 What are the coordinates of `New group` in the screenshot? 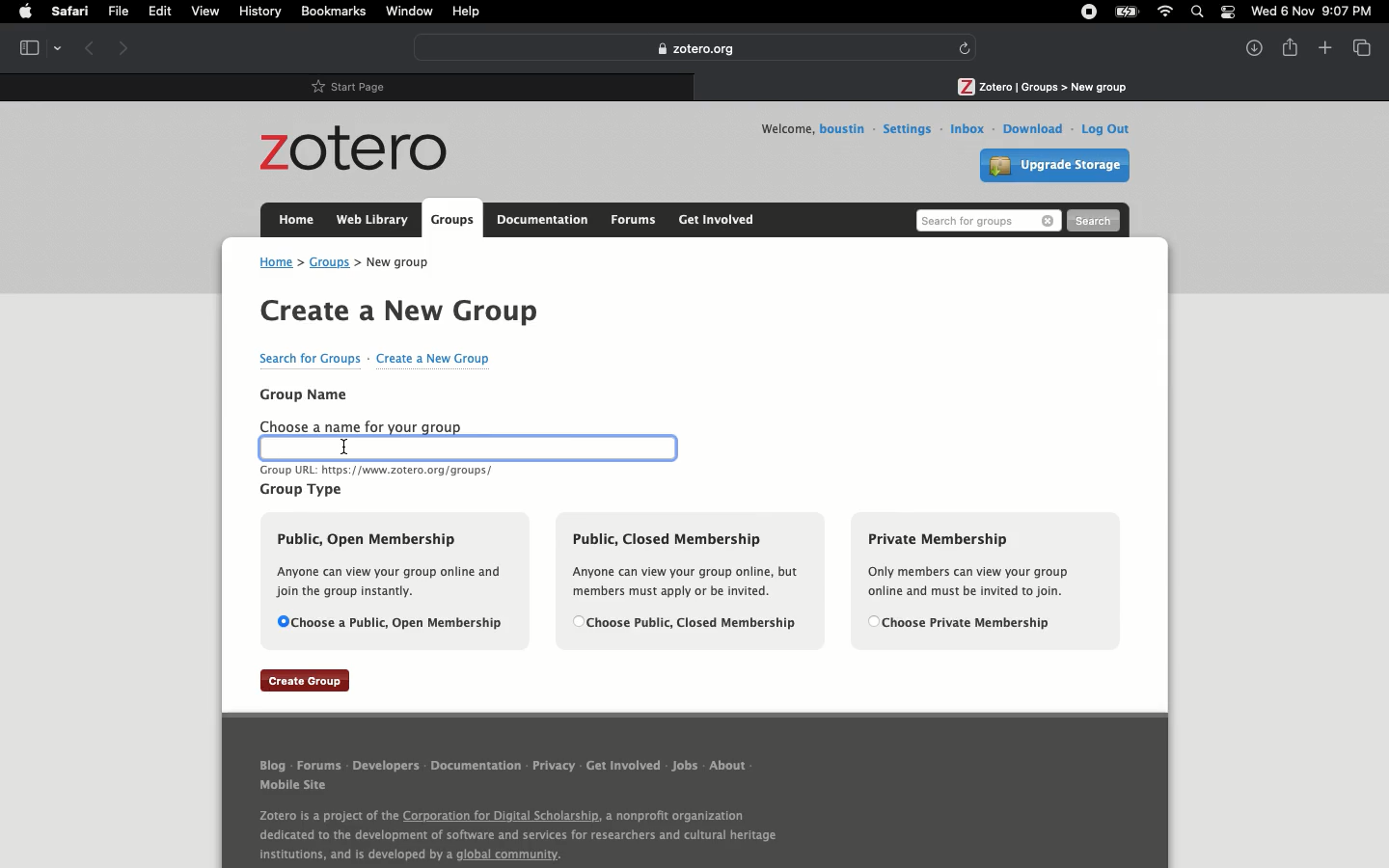 It's located at (404, 261).